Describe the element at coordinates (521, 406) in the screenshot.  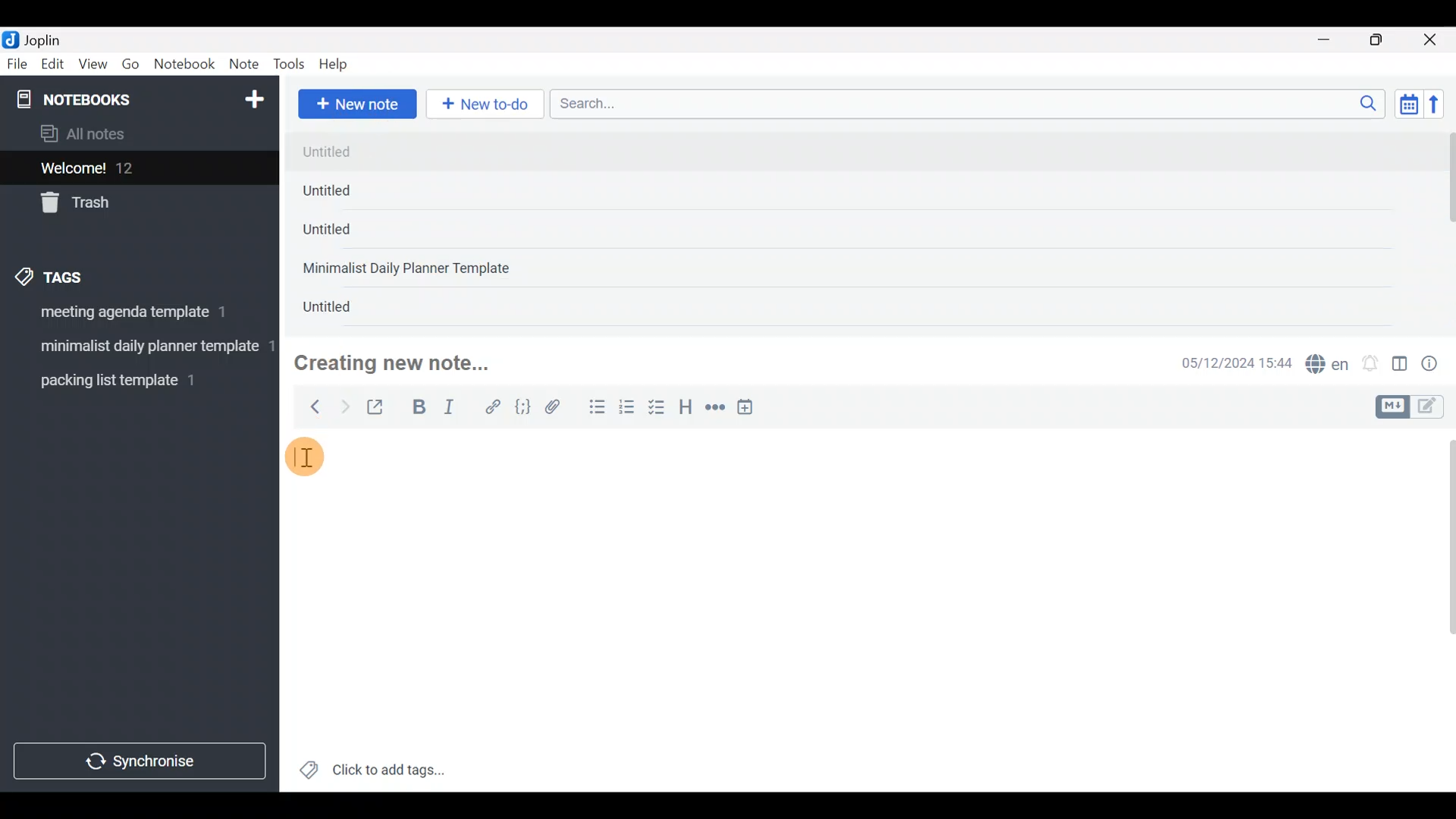
I see `Code` at that location.